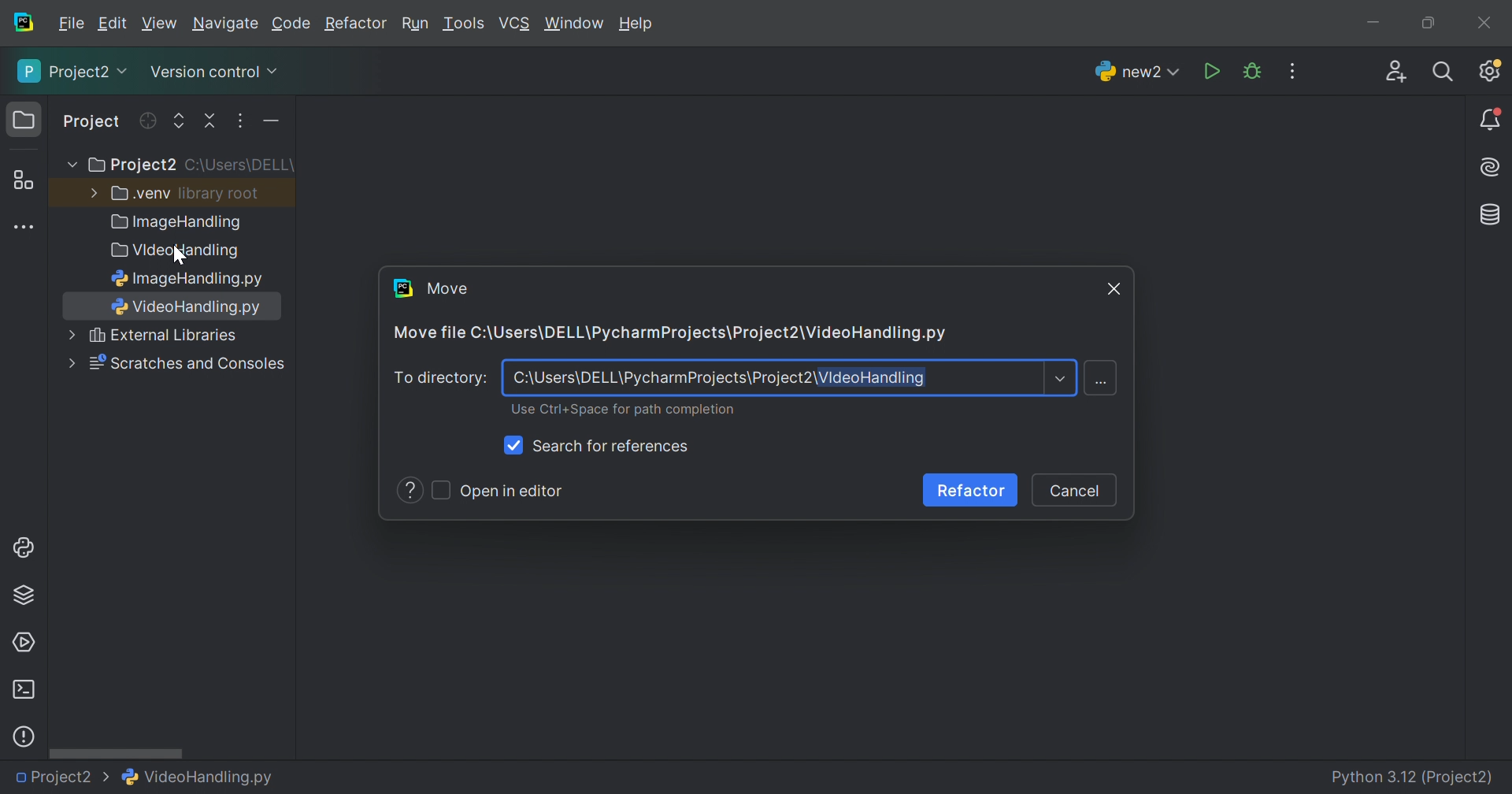  What do you see at coordinates (442, 490) in the screenshot?
I see `Checbox` at bounding box center [442, 490].